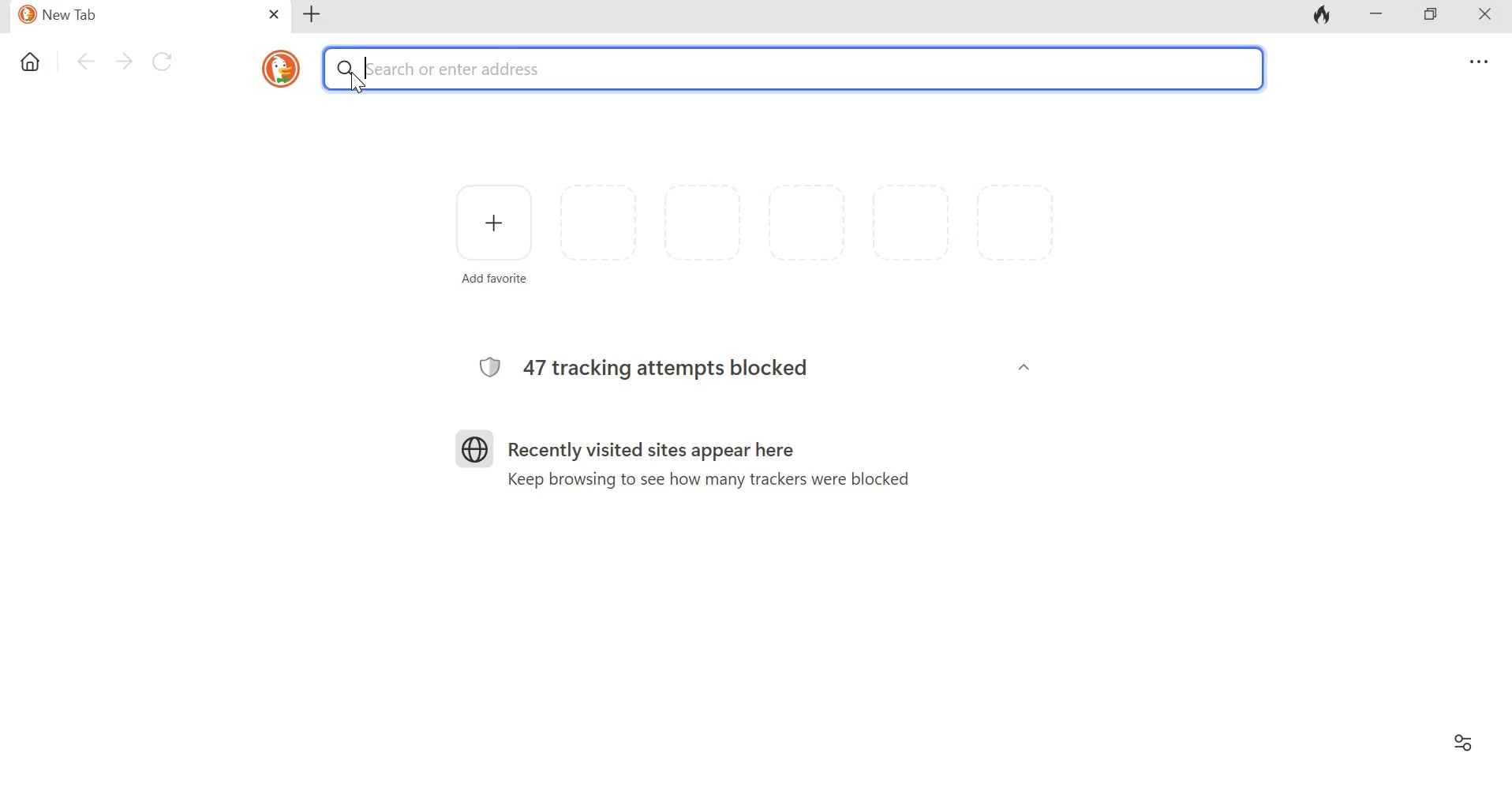 The width and height of the screenshot is (1512, 791). I want to click on Keep browsing to see how many trackers were blocked, so click(713, 482).